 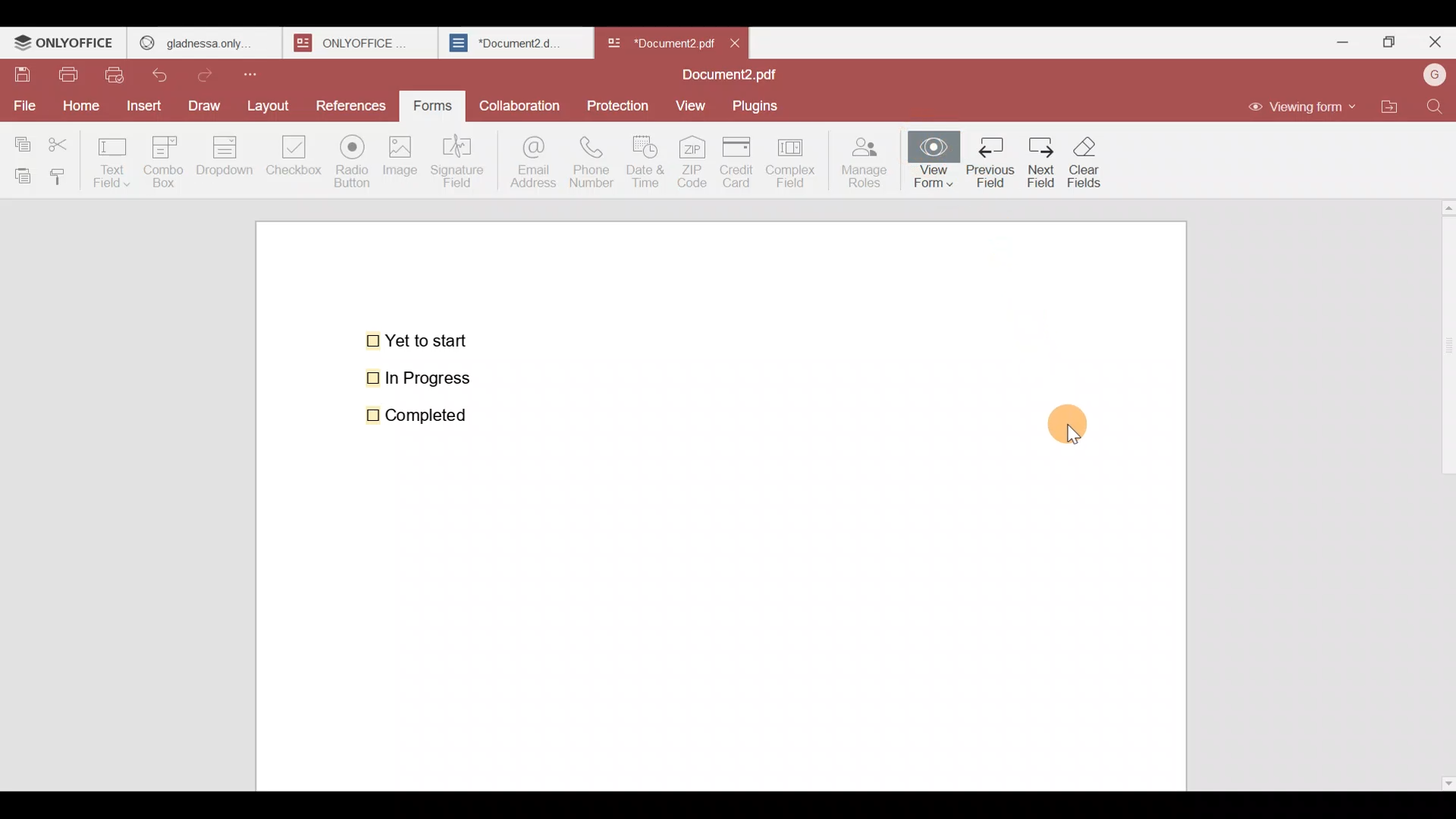 What do you see at coordinates (733, 163) in the screenshot?
I see `Credit card` at bounding box center [733, 163].